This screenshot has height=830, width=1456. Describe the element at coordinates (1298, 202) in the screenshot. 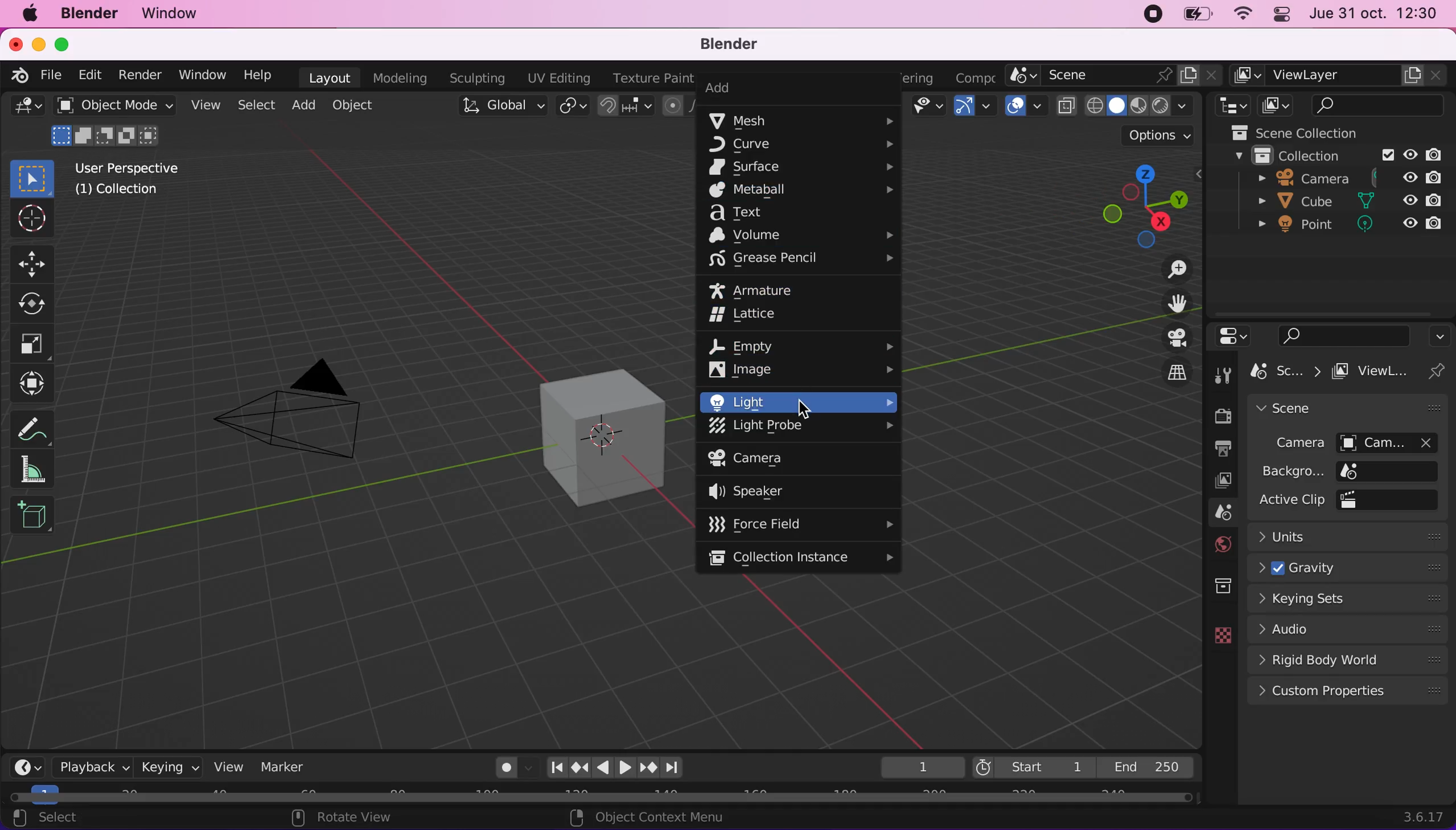

I see `cube` at that location.